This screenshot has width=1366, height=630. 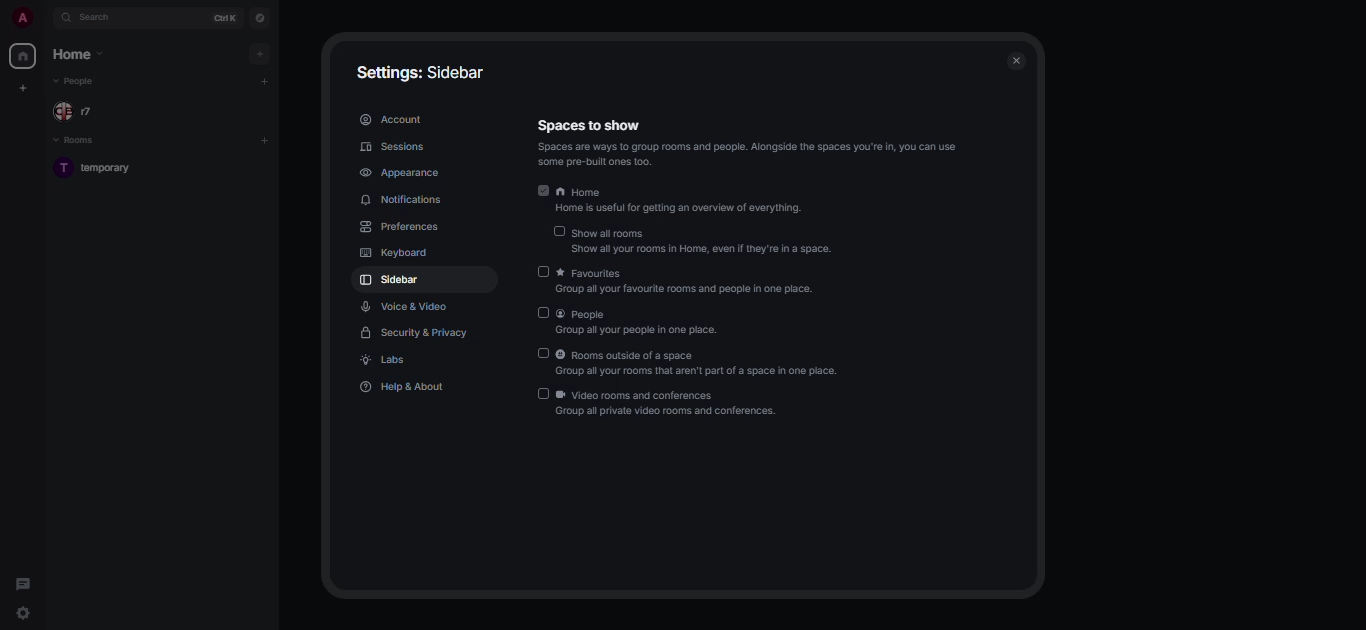 I want to click on preferences, so click(x=398, y=227).